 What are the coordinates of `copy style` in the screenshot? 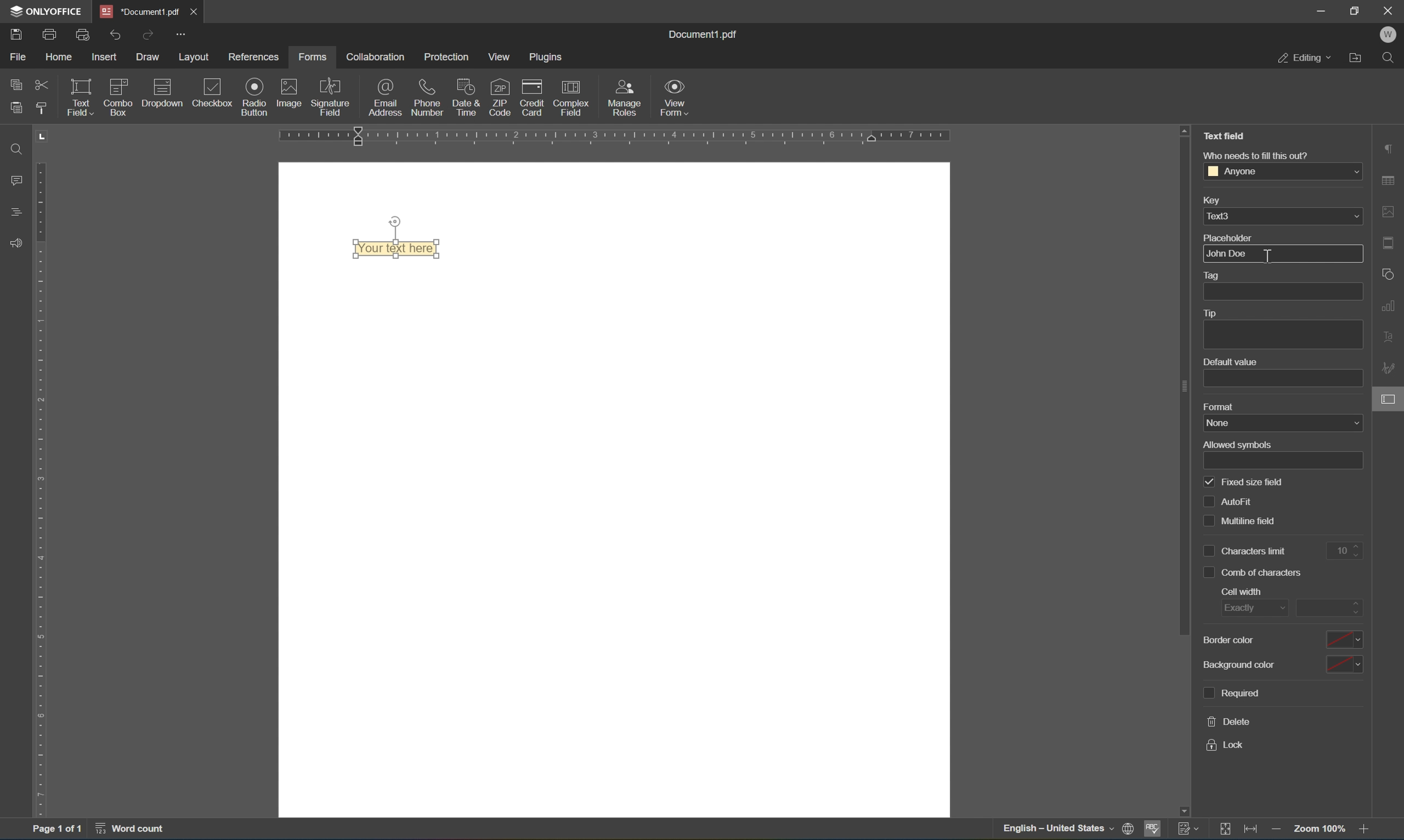 It's located at (41, 108).